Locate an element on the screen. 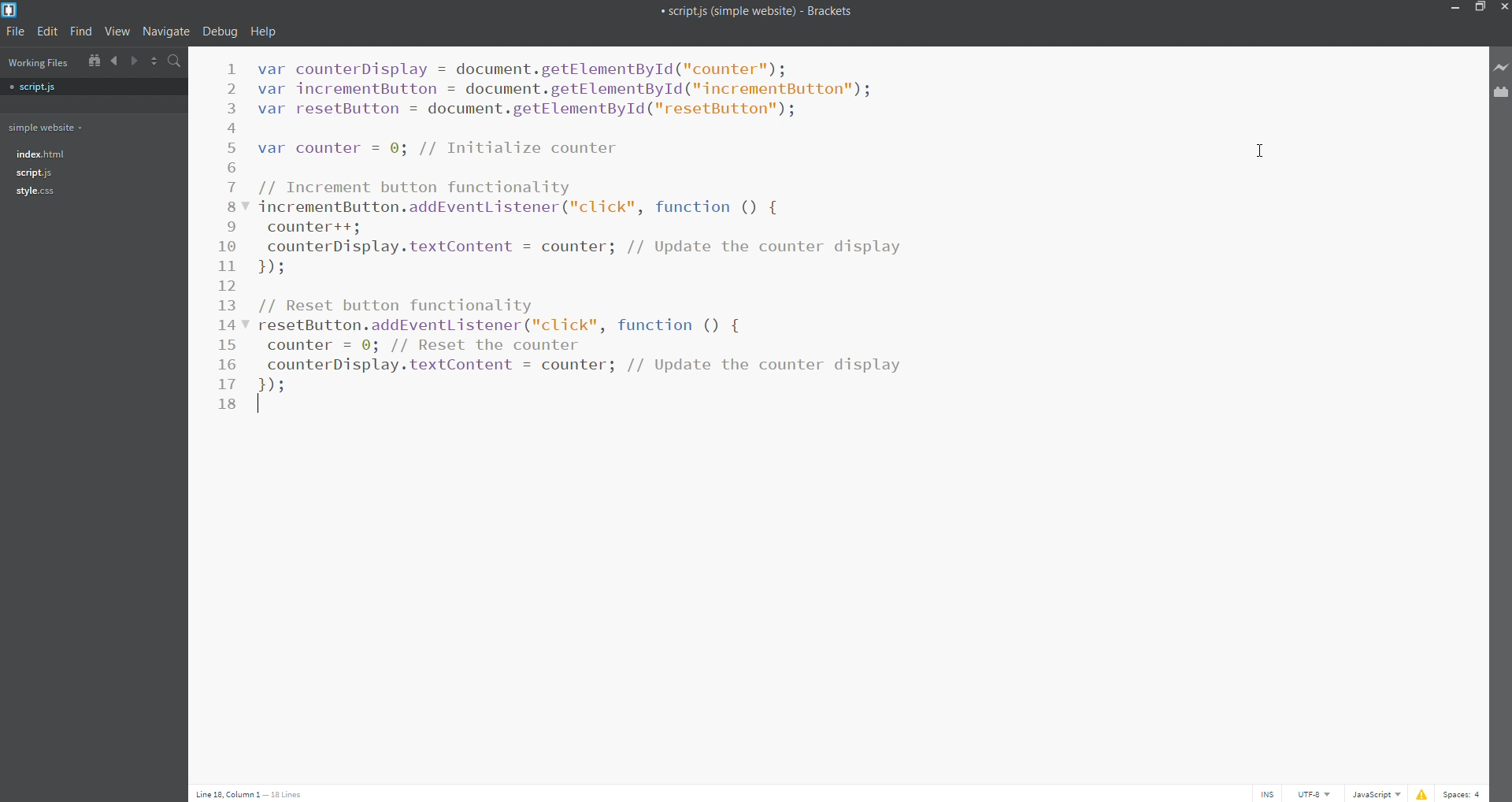  split horizontally/vertically is located at coordinates (156, 61).